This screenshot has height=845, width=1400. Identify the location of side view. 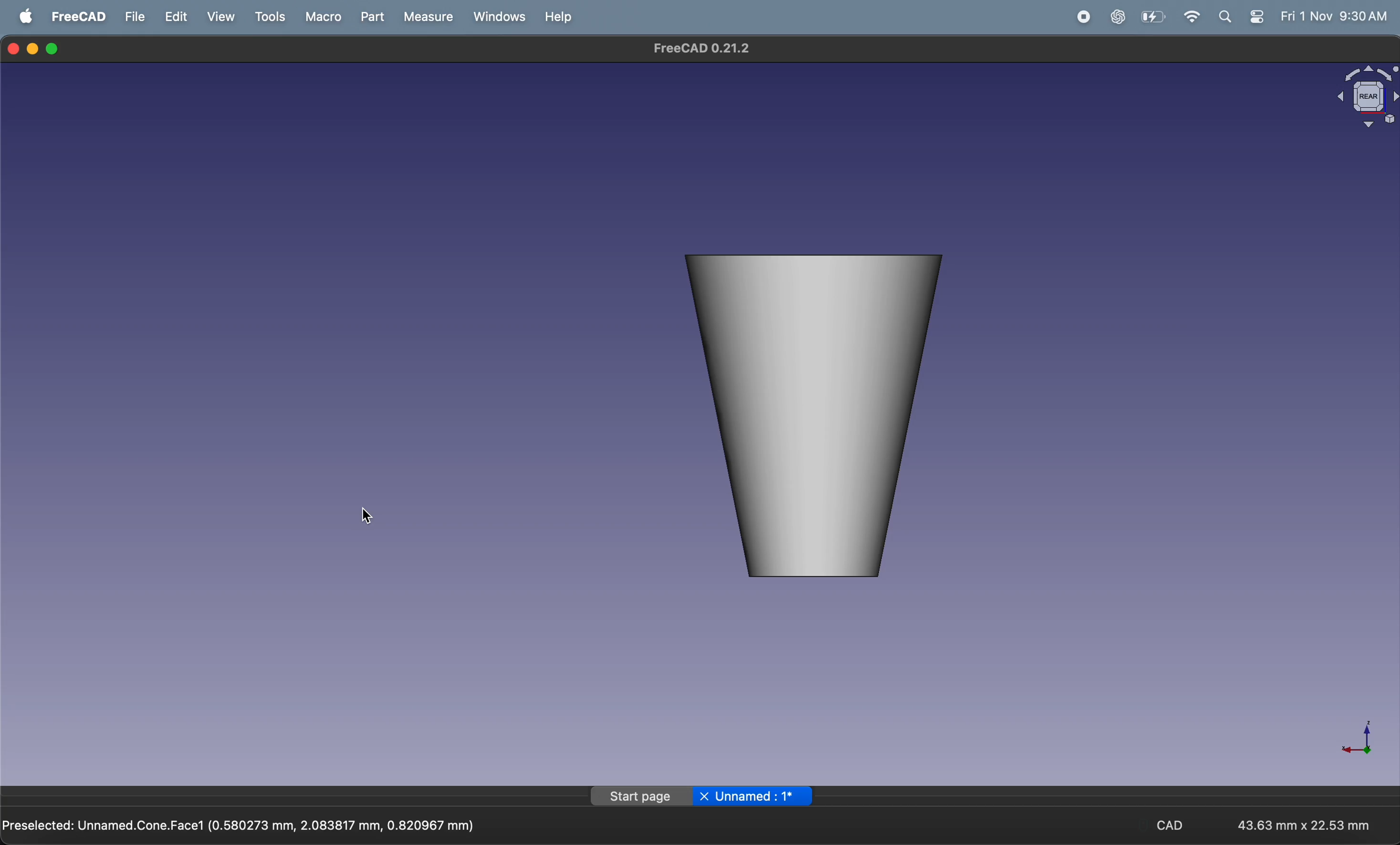
(826, 416).